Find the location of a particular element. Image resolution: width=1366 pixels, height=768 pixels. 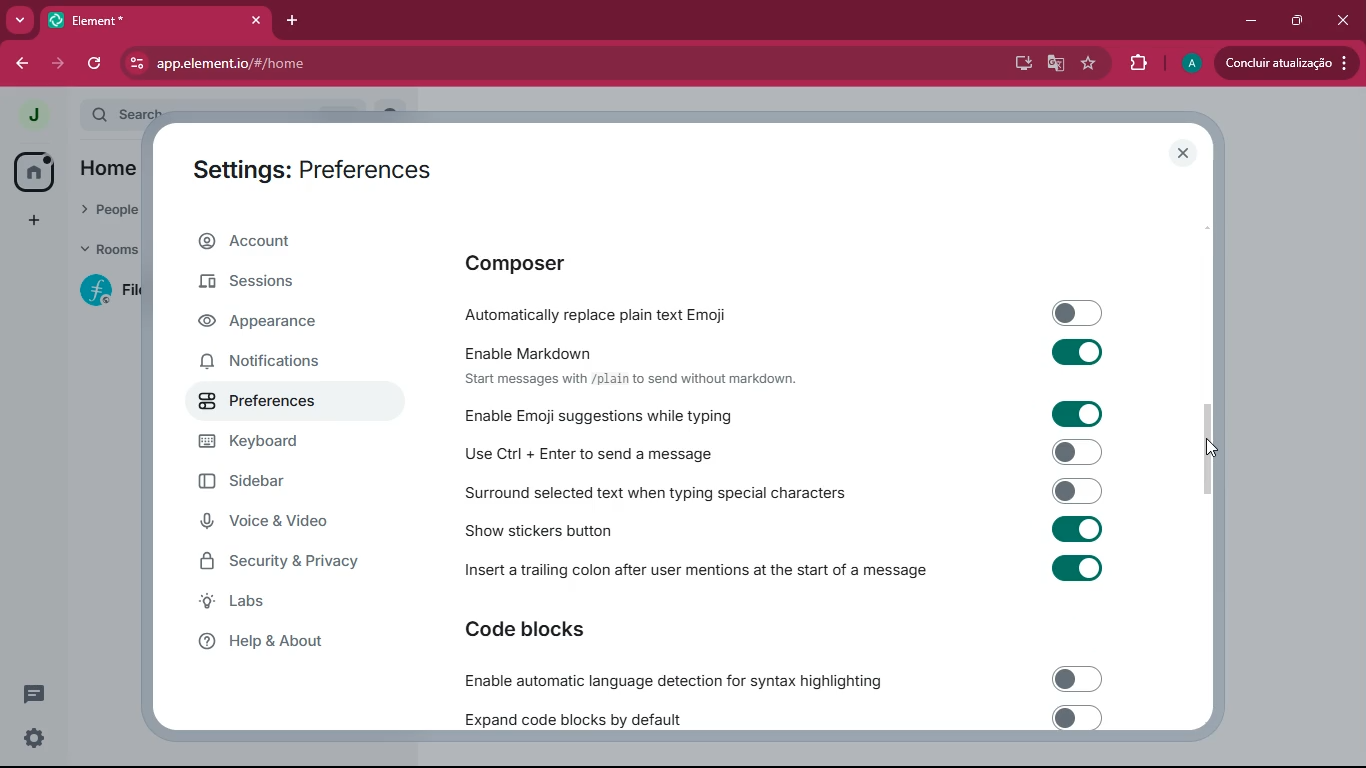

minimize is located at coordinates (1244, 19).